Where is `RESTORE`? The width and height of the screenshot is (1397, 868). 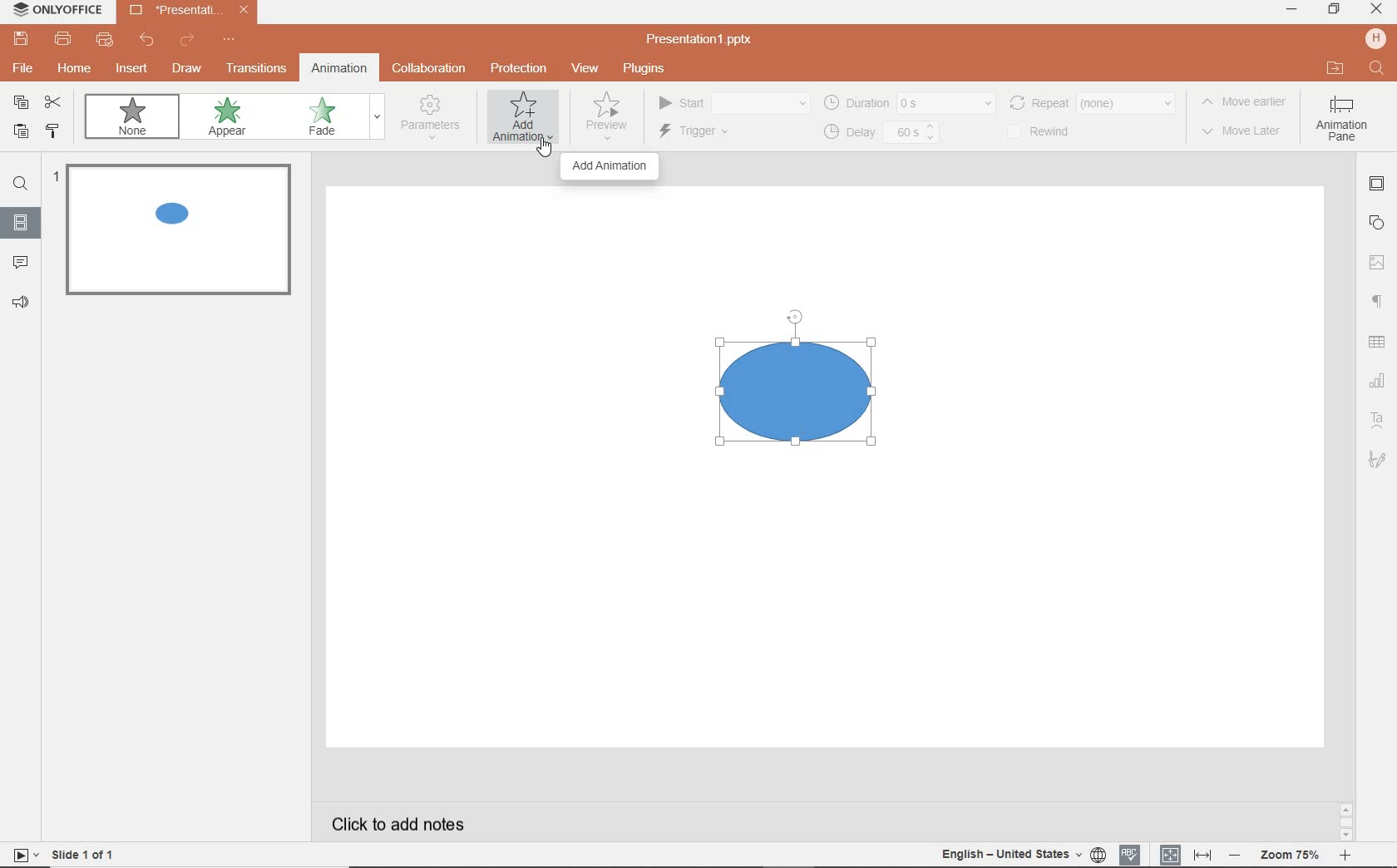
RESTORE is located at coordinates (1334, 10).